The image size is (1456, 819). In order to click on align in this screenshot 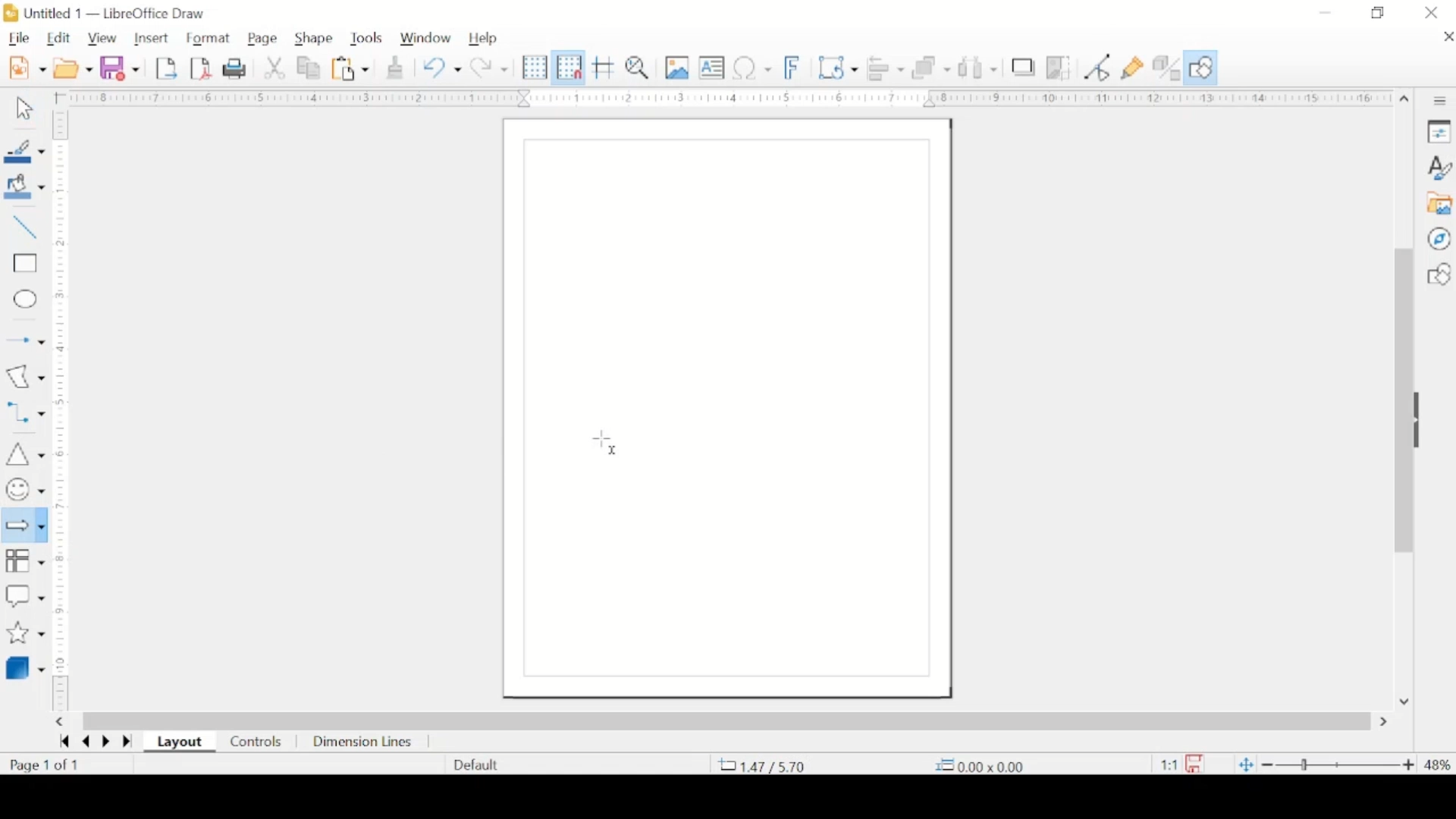, I will do `click(885, 67)`.